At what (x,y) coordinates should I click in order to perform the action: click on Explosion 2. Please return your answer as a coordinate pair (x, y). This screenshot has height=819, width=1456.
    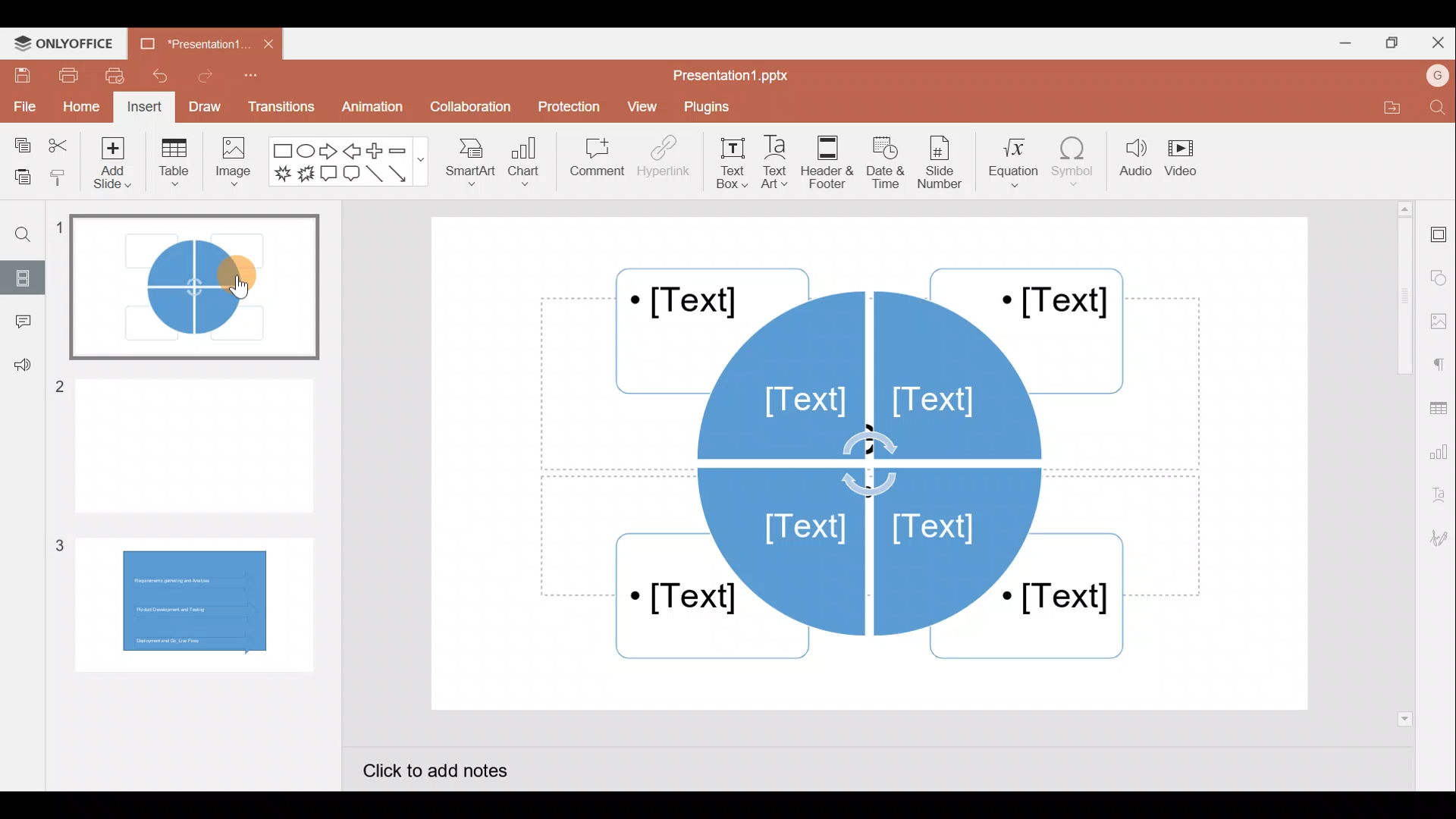
    Looking at the image, I should click on (305, 175).